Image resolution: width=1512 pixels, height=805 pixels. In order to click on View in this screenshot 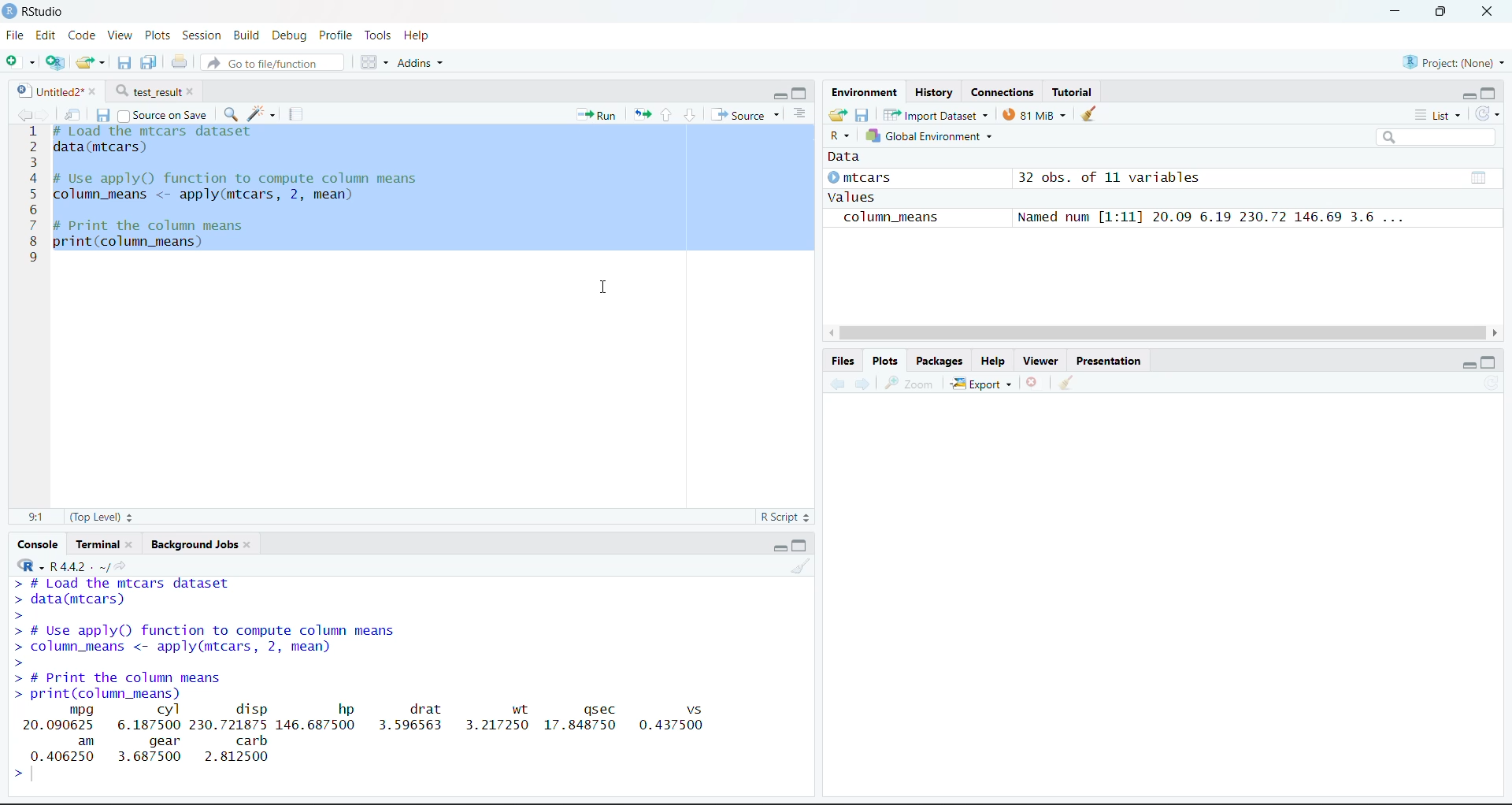, I will do `click(117, 34)`.